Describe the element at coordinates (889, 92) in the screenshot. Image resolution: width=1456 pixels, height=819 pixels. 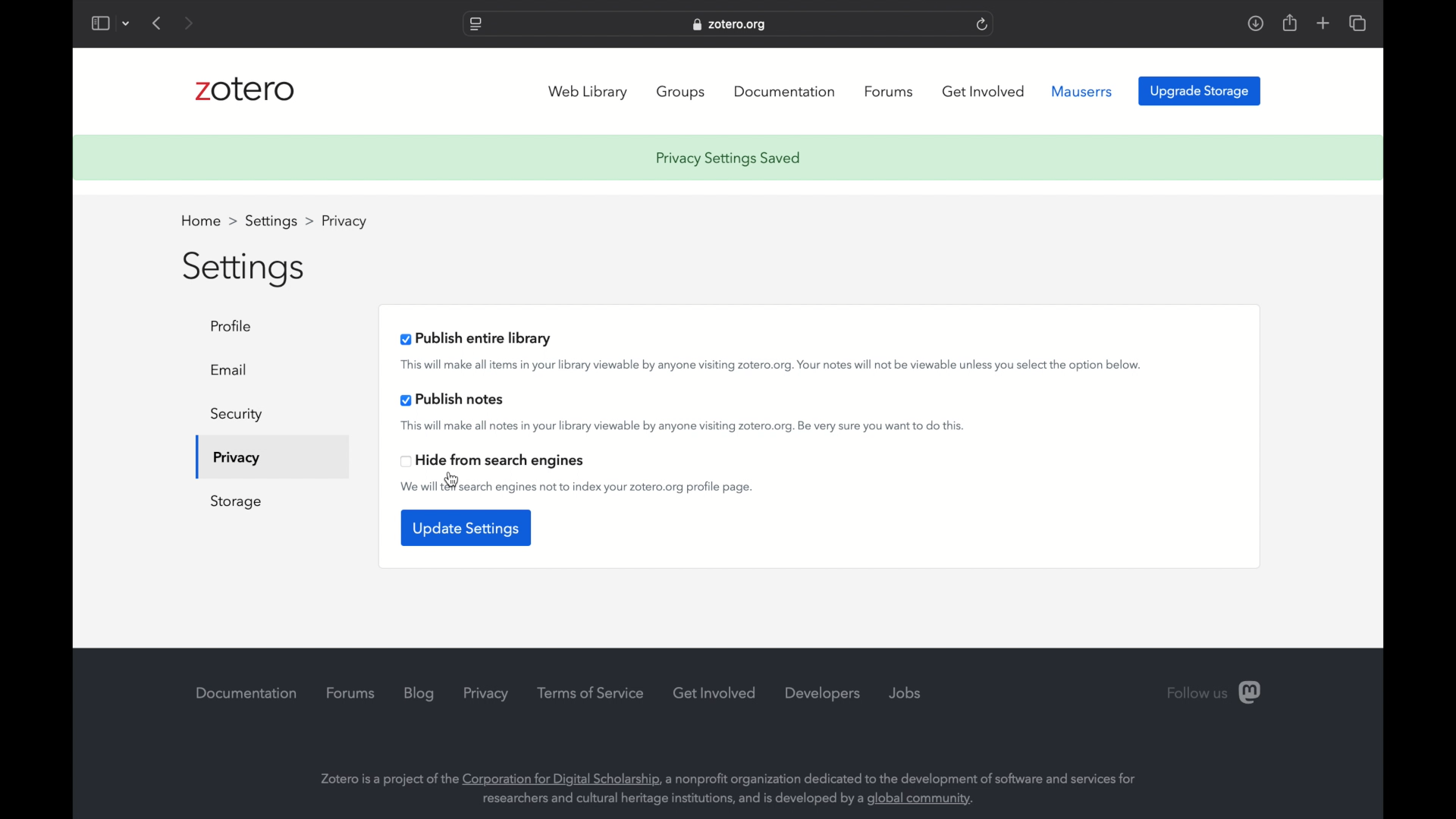
I see `forums` at that location.